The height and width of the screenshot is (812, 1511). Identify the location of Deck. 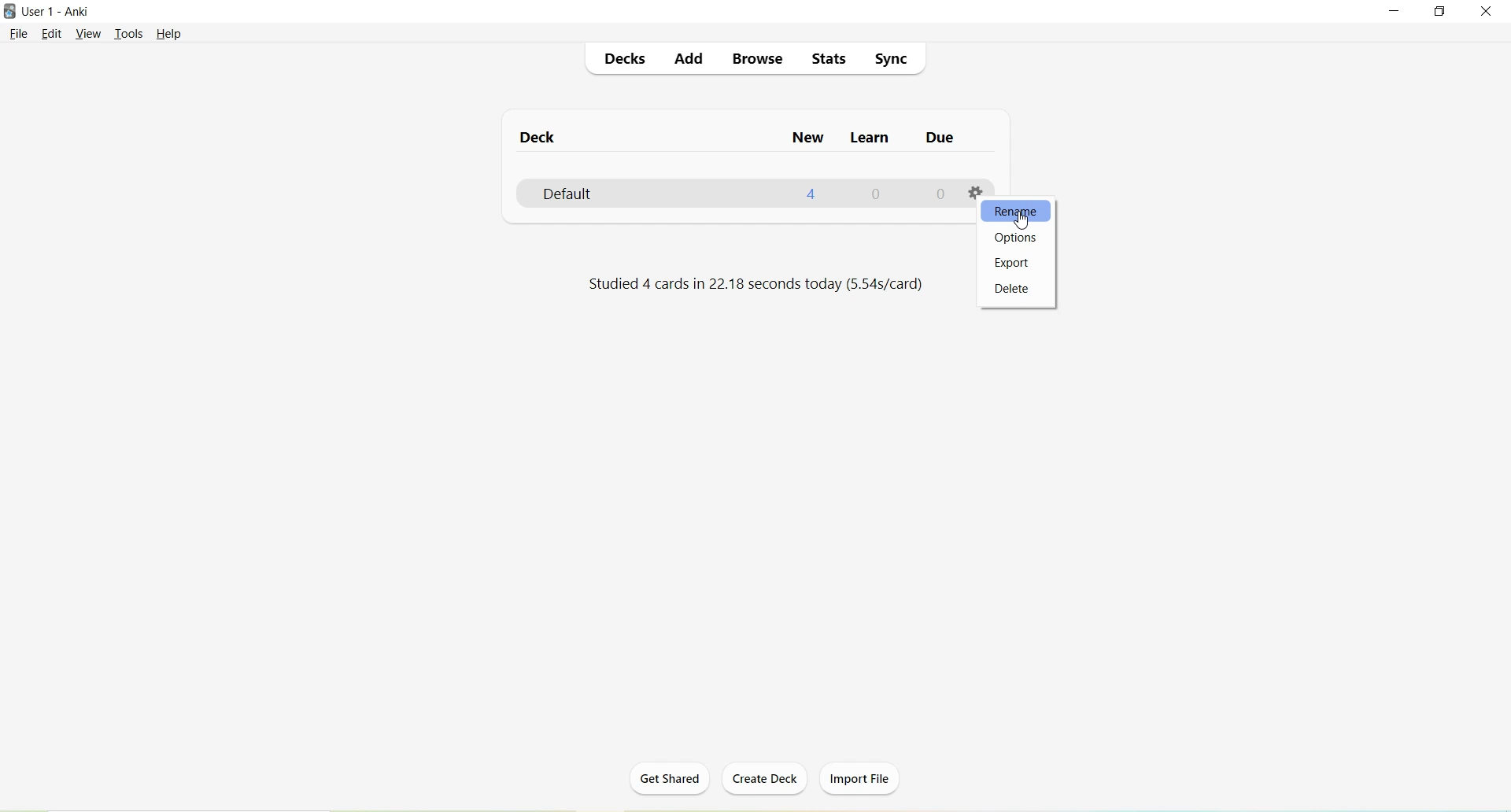
(538, 140).